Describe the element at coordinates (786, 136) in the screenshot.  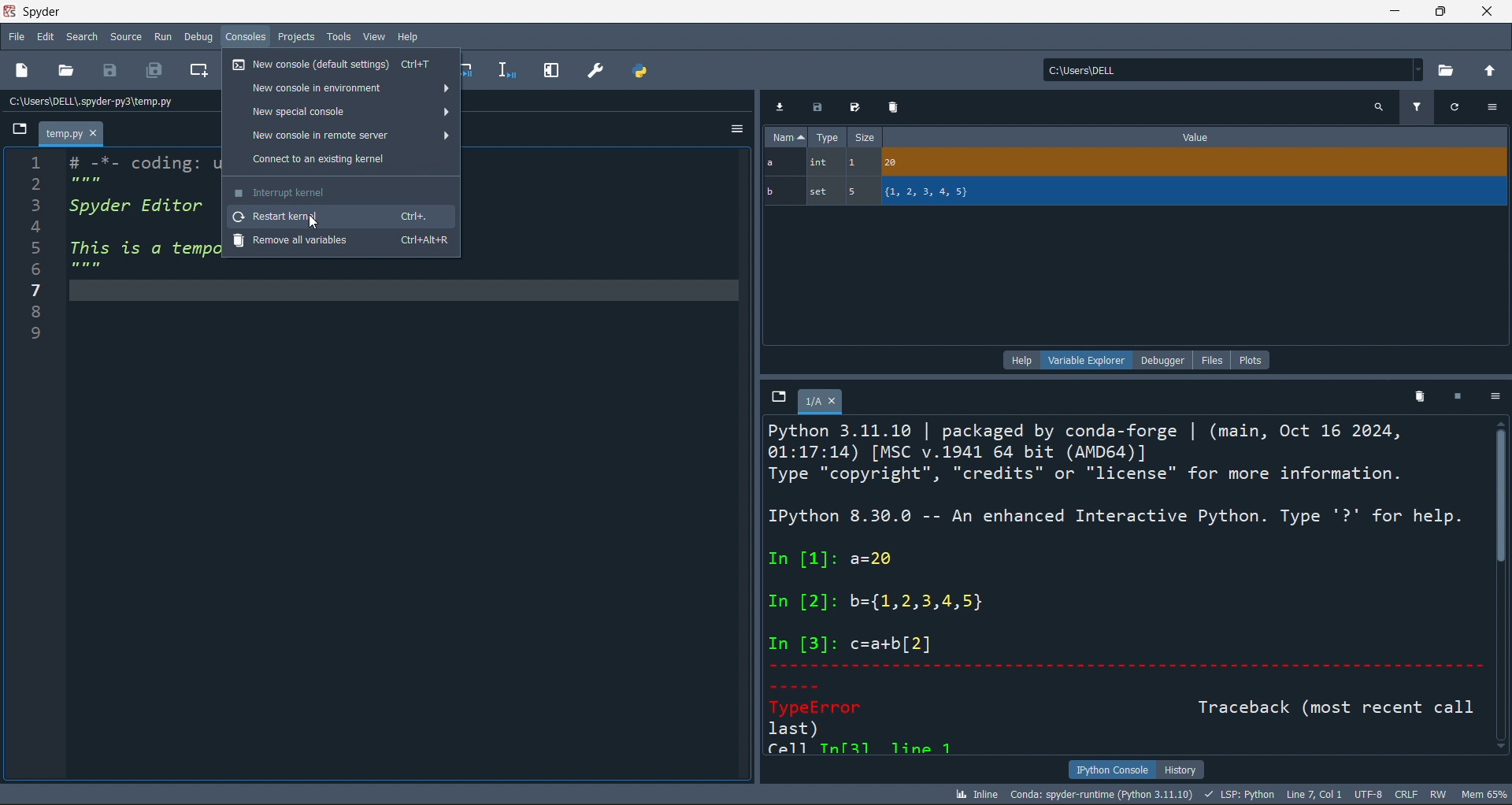
I see `name` at that location.